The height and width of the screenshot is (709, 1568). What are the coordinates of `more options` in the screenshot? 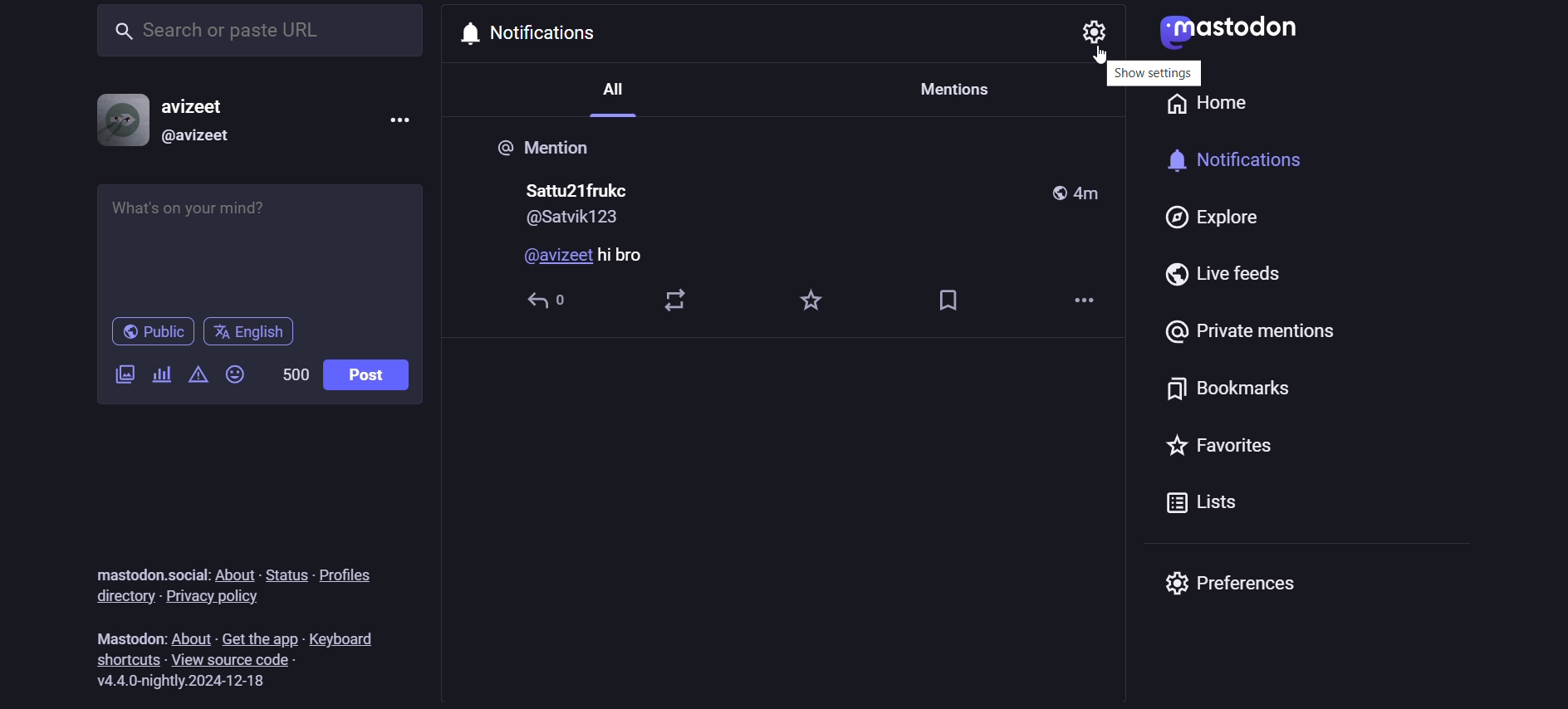 It's located at (394, 119).